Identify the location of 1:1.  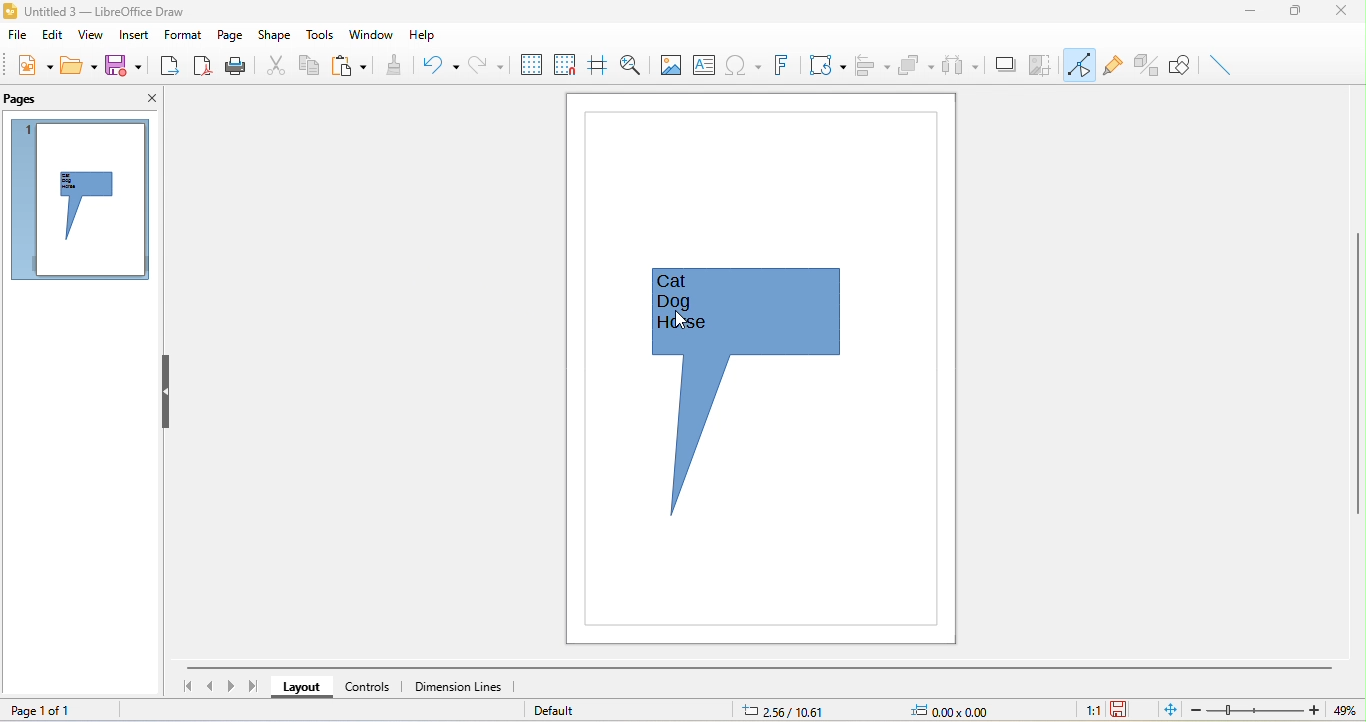
(1088, 710).